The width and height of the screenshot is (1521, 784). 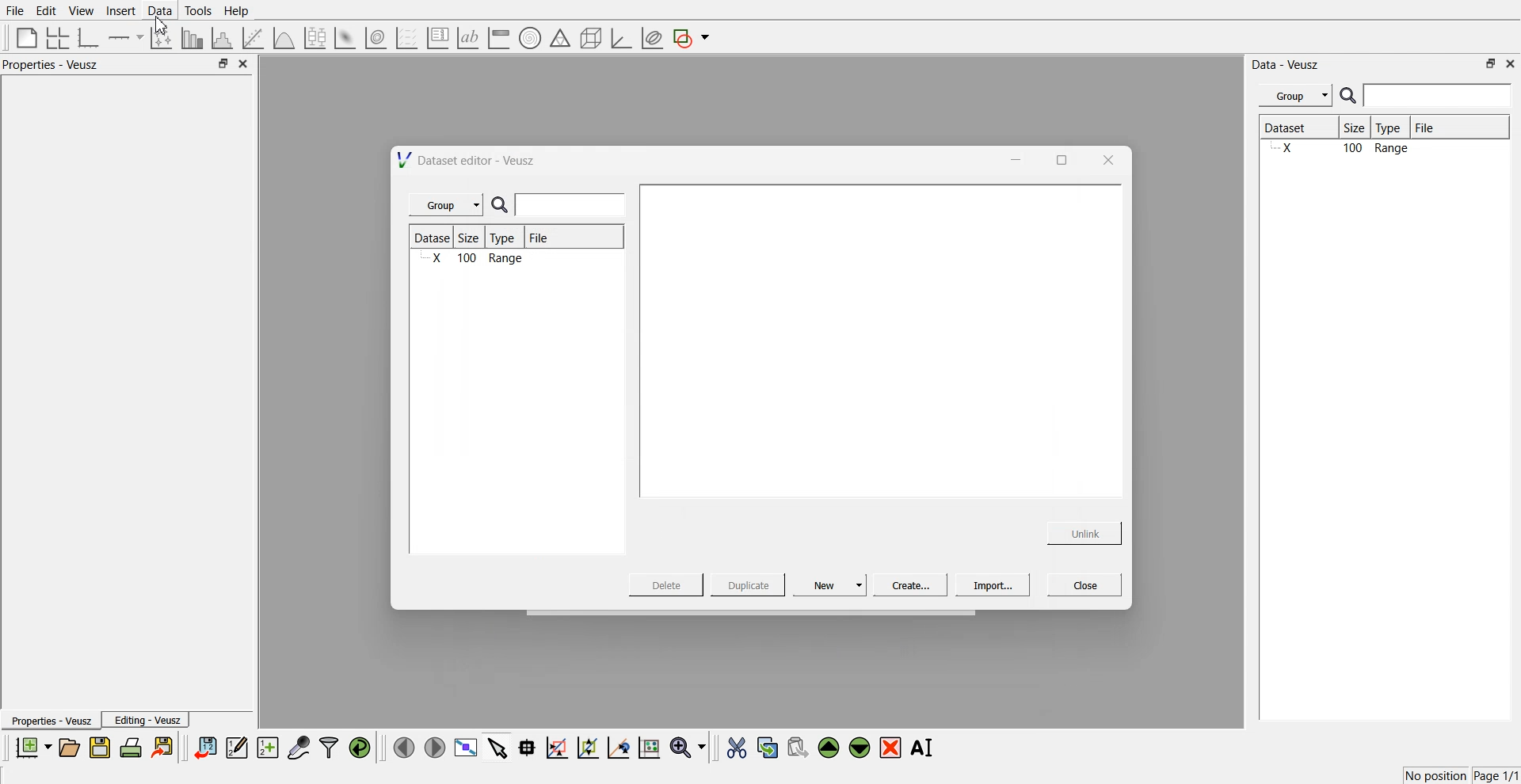 I want to click on Dataset, so click(x=434, y=238).